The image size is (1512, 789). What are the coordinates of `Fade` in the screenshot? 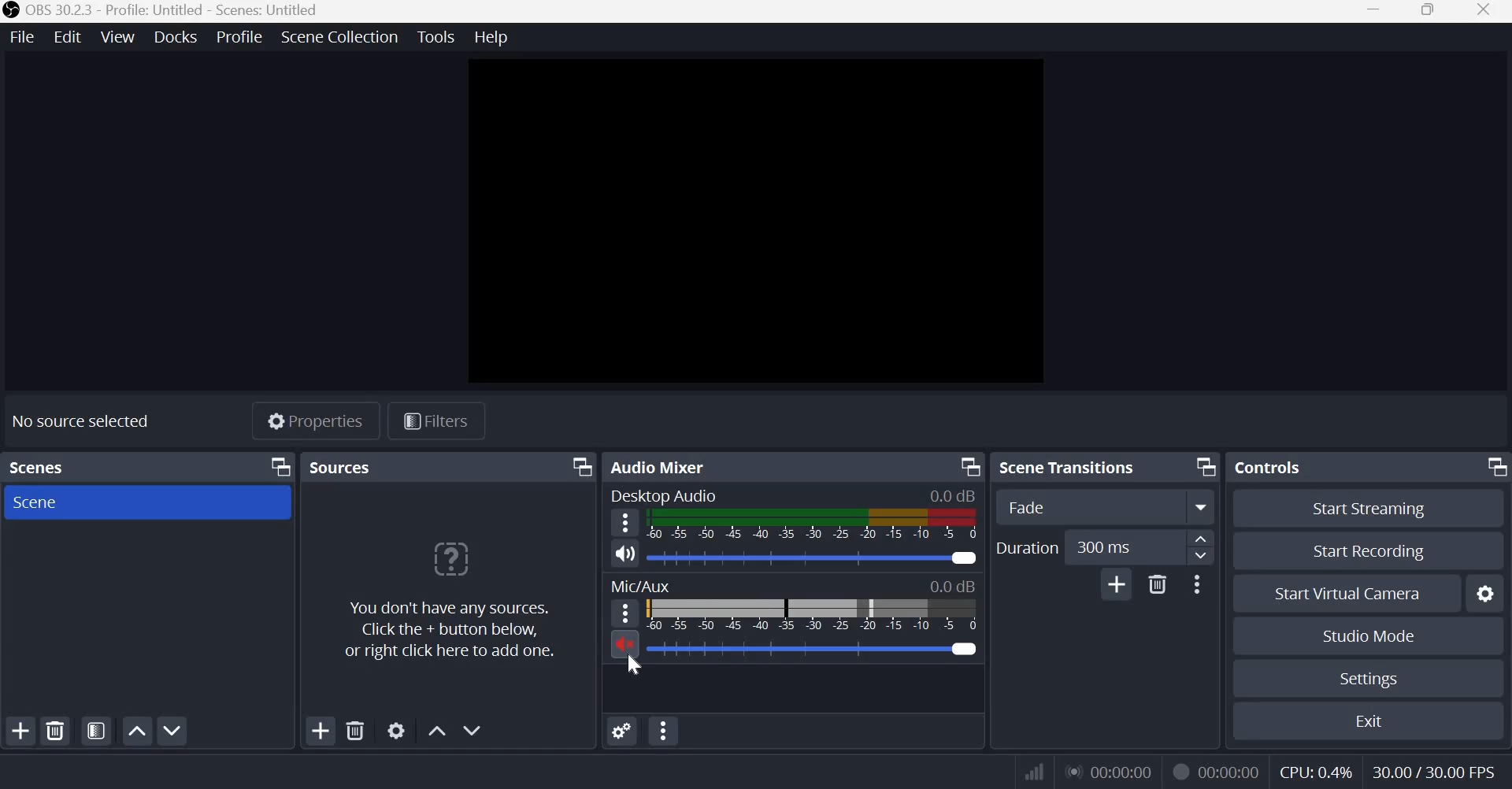 It's located at (1090, 506).